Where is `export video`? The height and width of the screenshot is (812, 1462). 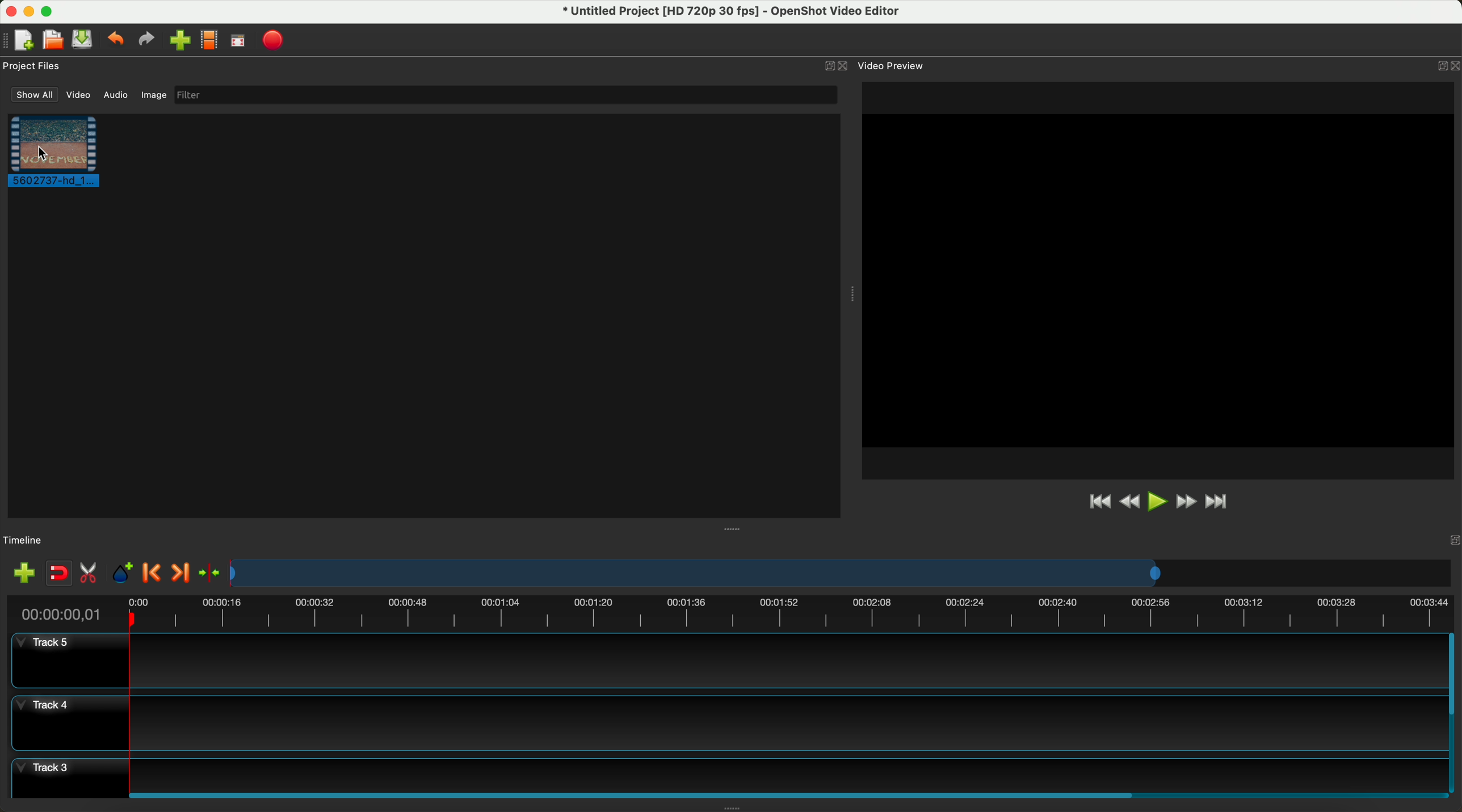
export video is located at coordinates (274, 40).